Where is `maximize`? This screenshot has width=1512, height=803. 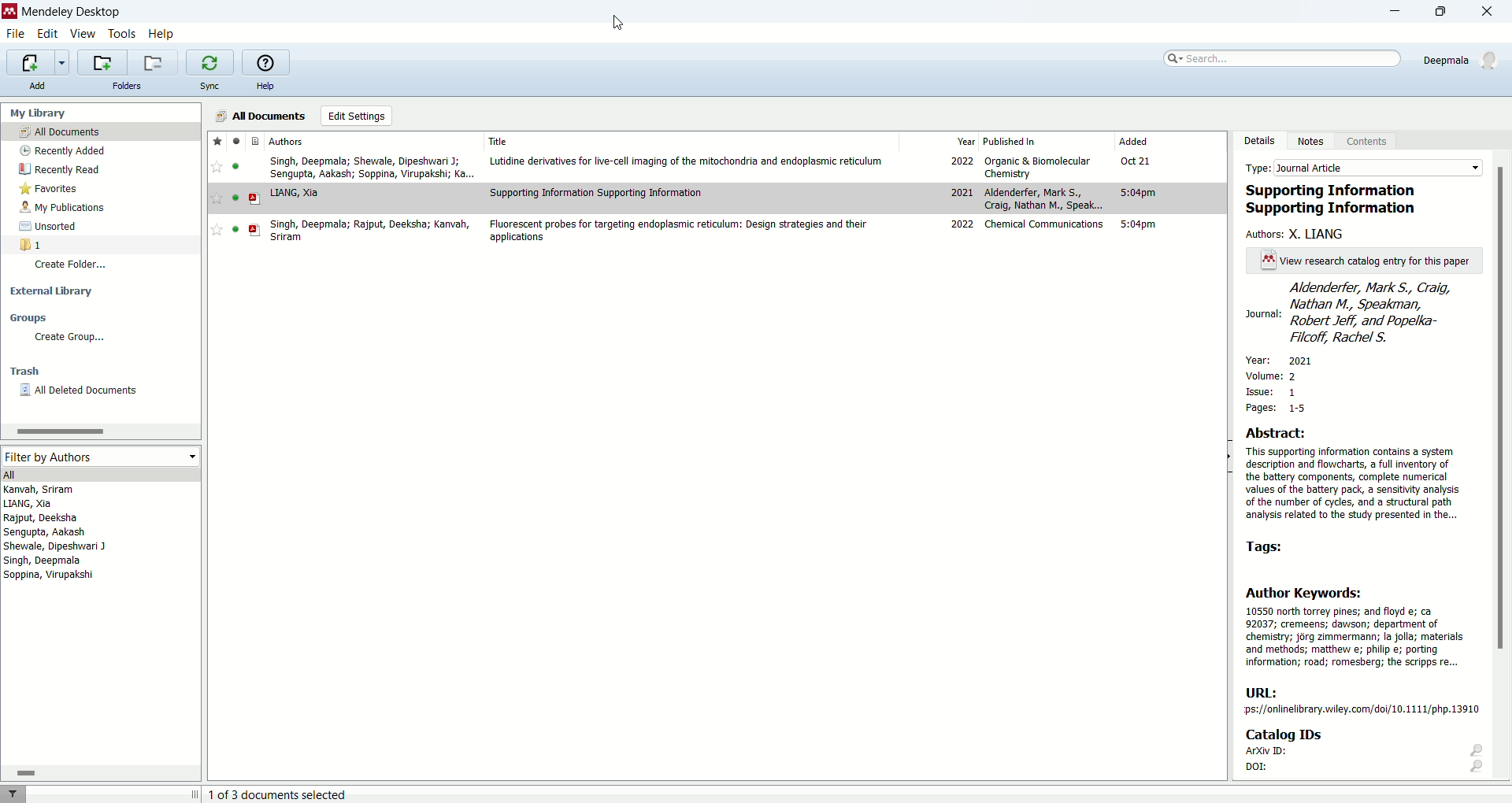 maximize is located at coordinates (1447, 12).